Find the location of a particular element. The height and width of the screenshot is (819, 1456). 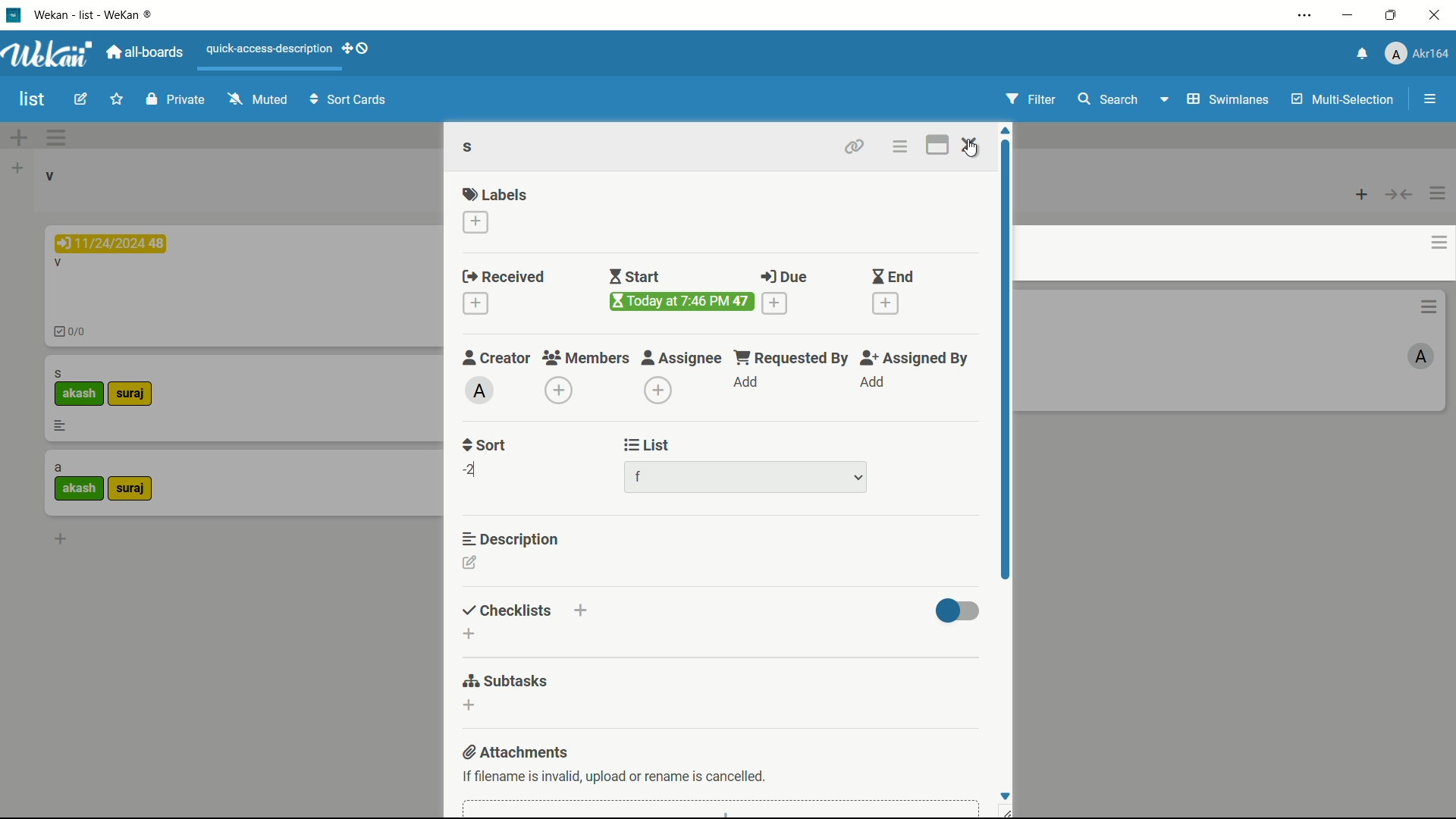

labels is located at coordinates (495, 194).